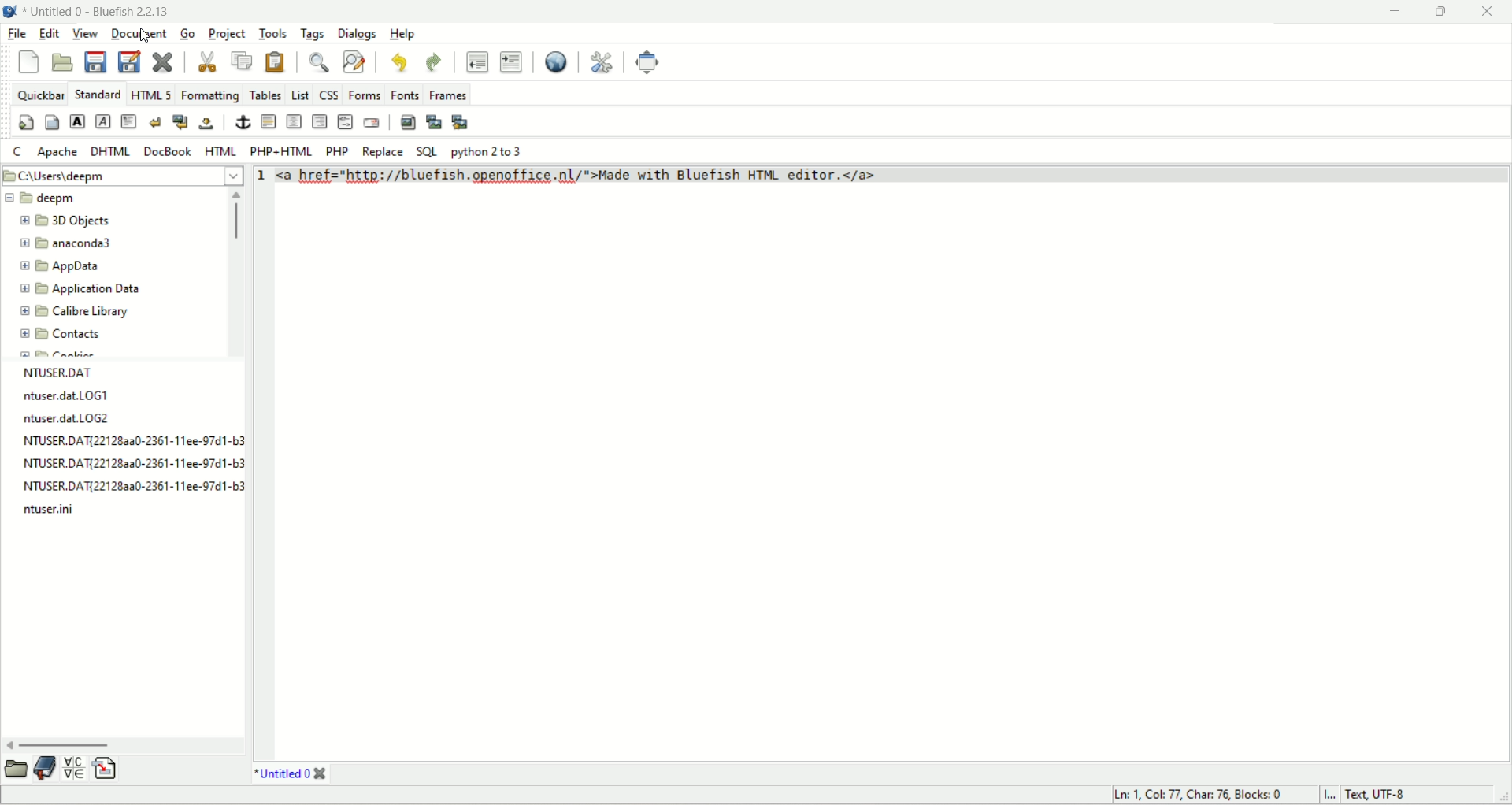  I want to click on HTML 5, so click(151, 92).